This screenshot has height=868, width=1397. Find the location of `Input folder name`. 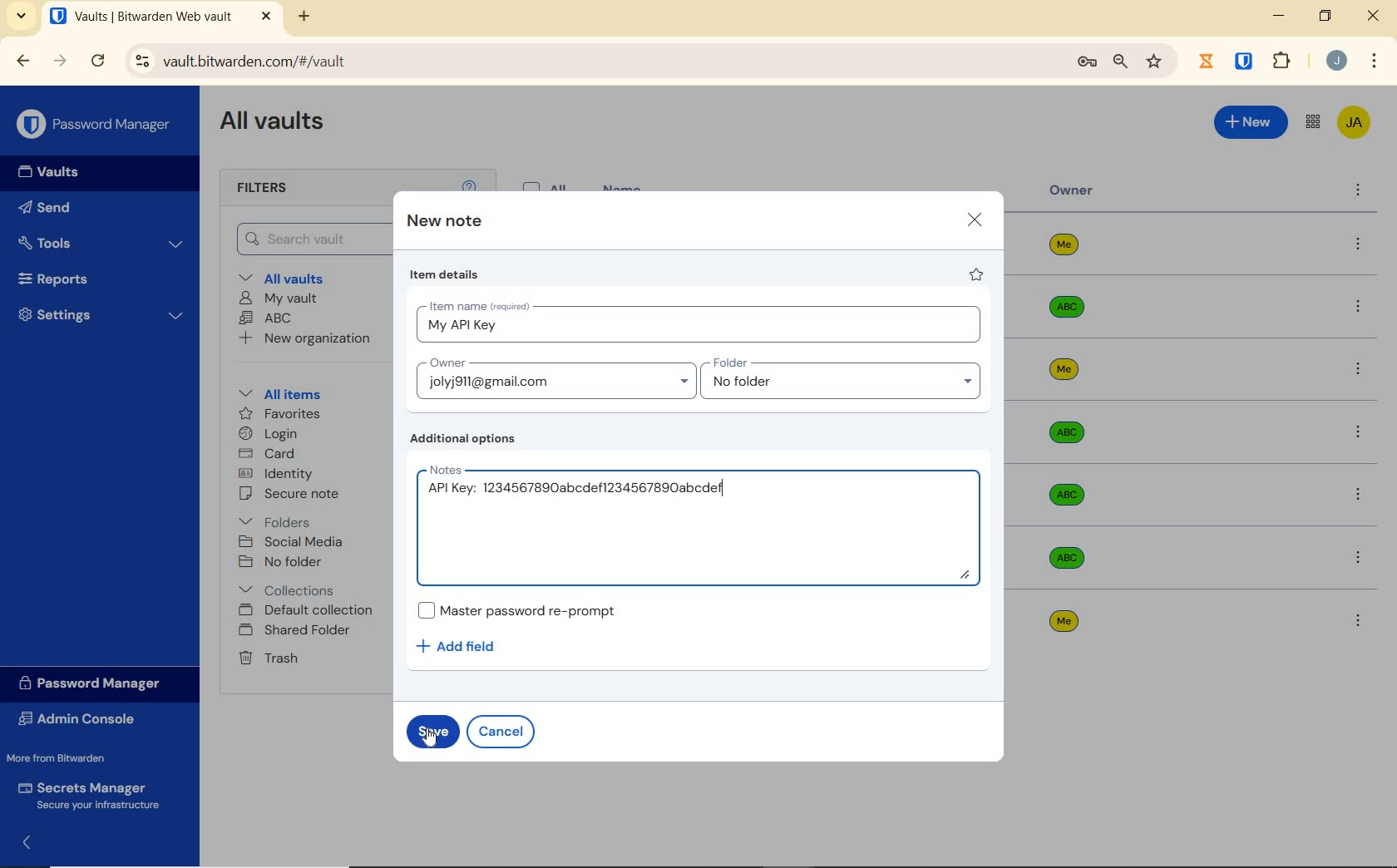

Input folder name is located at coordinates (844, 379).